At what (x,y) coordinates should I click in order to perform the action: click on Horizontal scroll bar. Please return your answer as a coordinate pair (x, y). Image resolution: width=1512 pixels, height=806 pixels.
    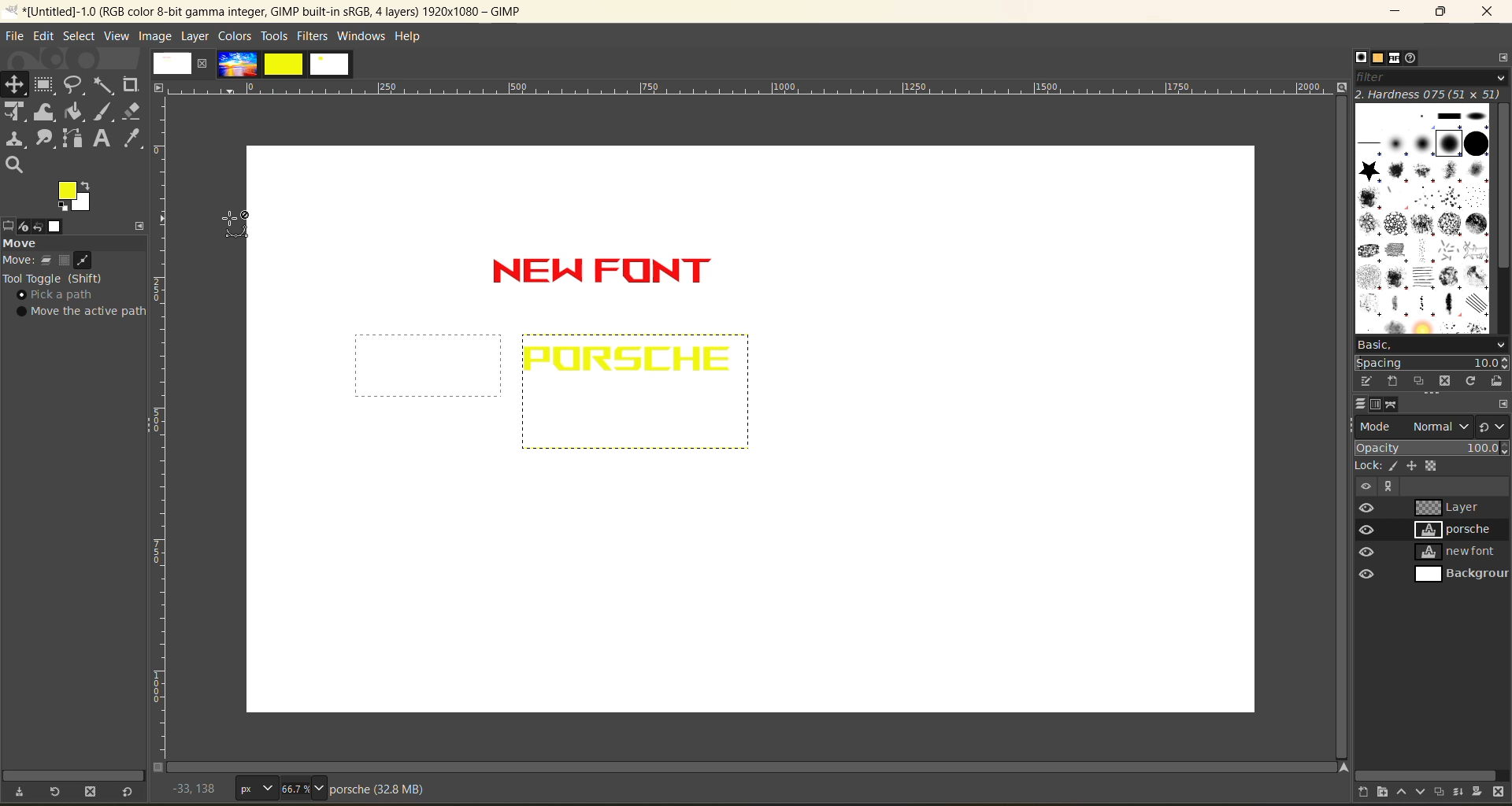
    Looking at the image, I should click on (669, 763).